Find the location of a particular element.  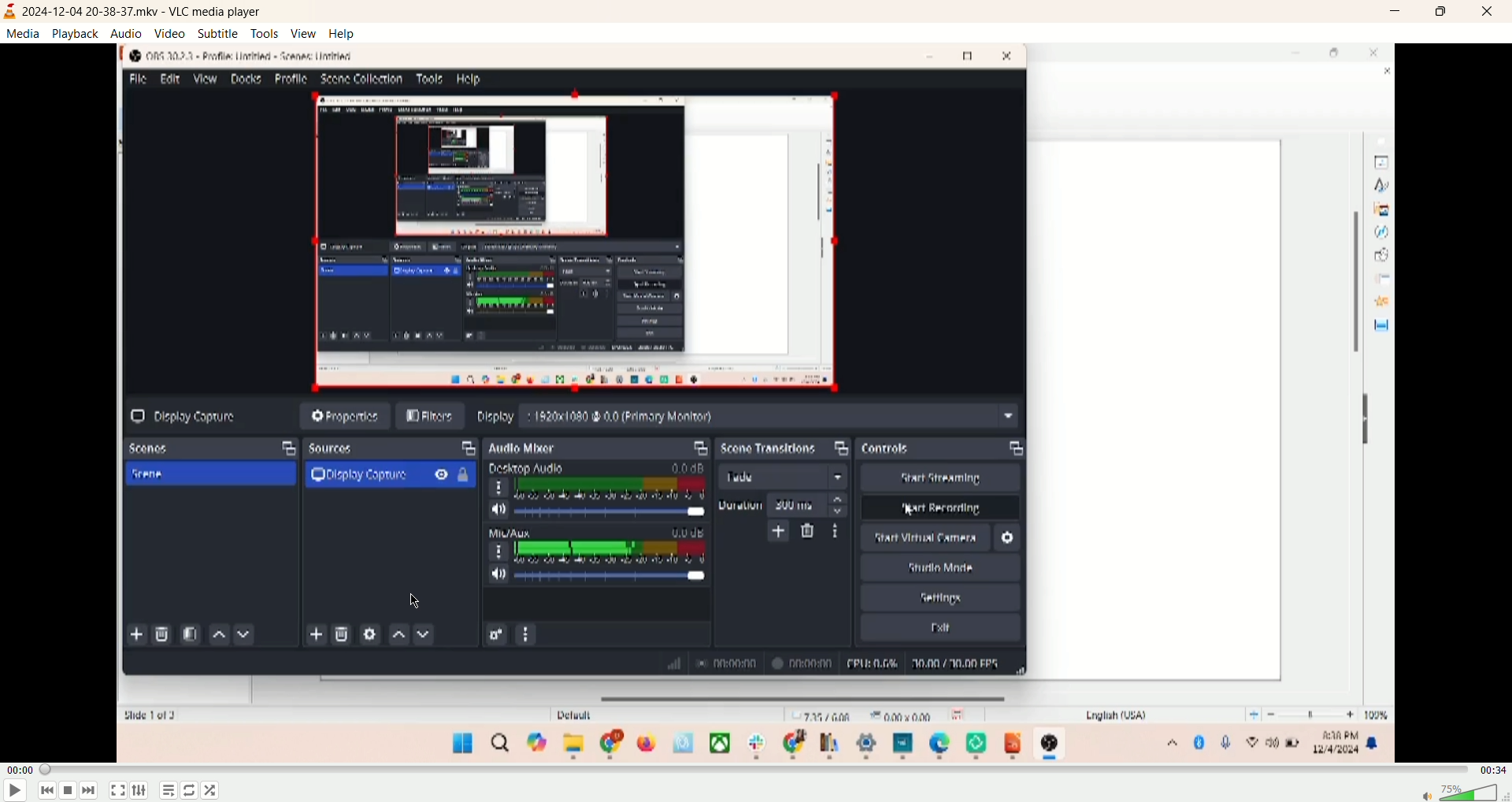

help is located at coordinates (343, 34).